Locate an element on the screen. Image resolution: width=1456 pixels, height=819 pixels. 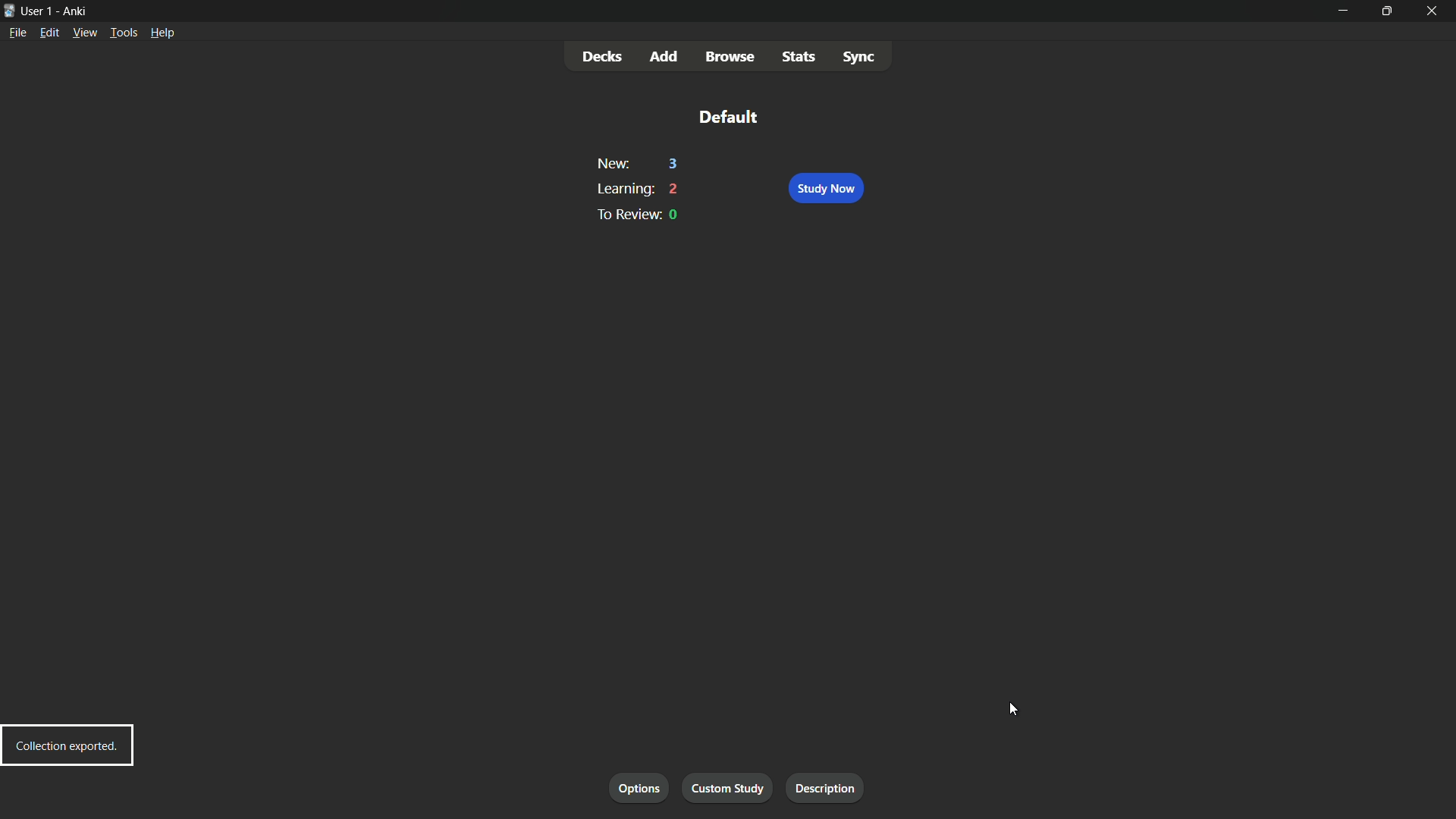
tools menu is located at coordinates (122, 33).